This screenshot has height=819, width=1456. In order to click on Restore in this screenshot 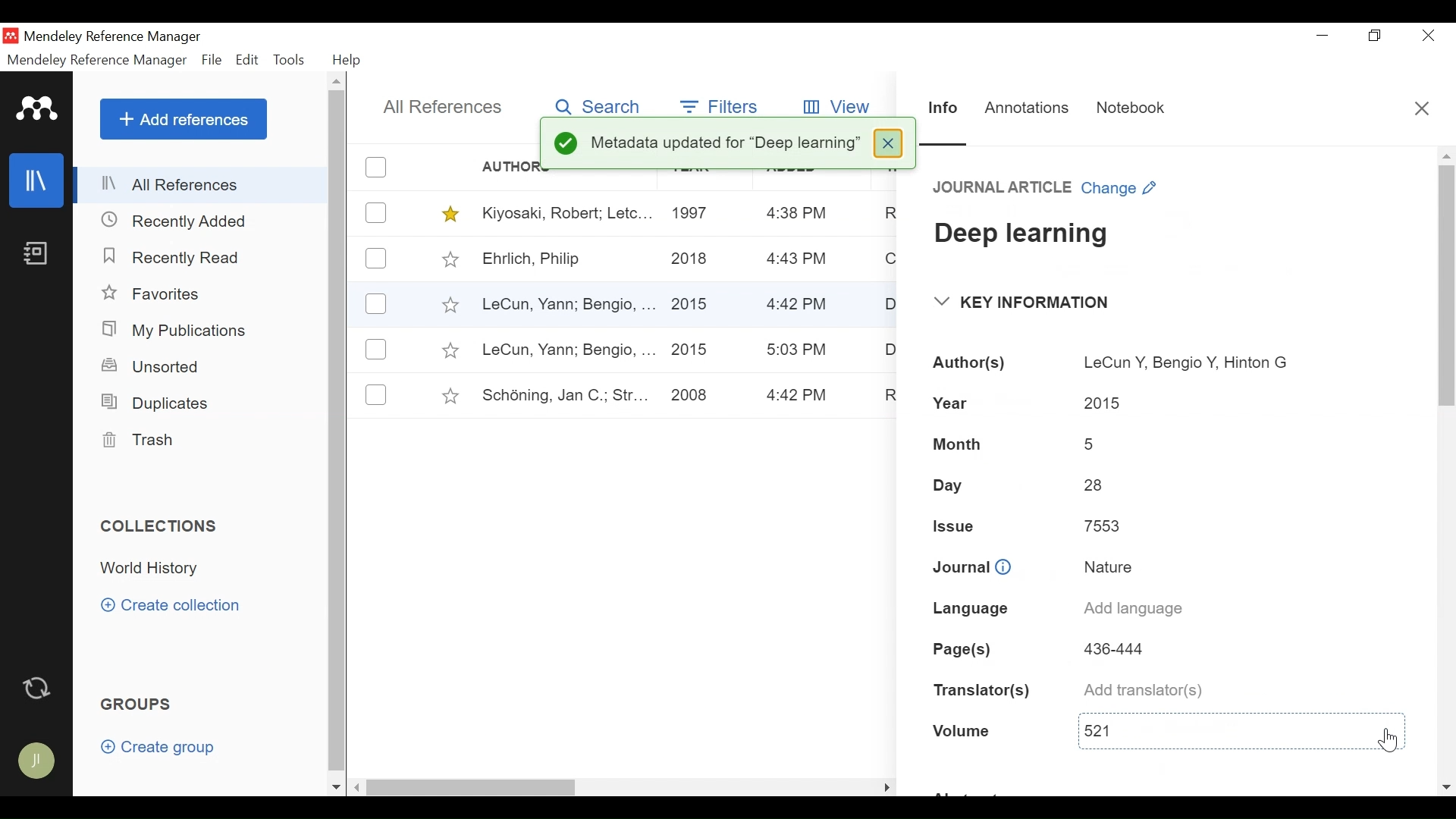, I will do `click(1376, 36)`.